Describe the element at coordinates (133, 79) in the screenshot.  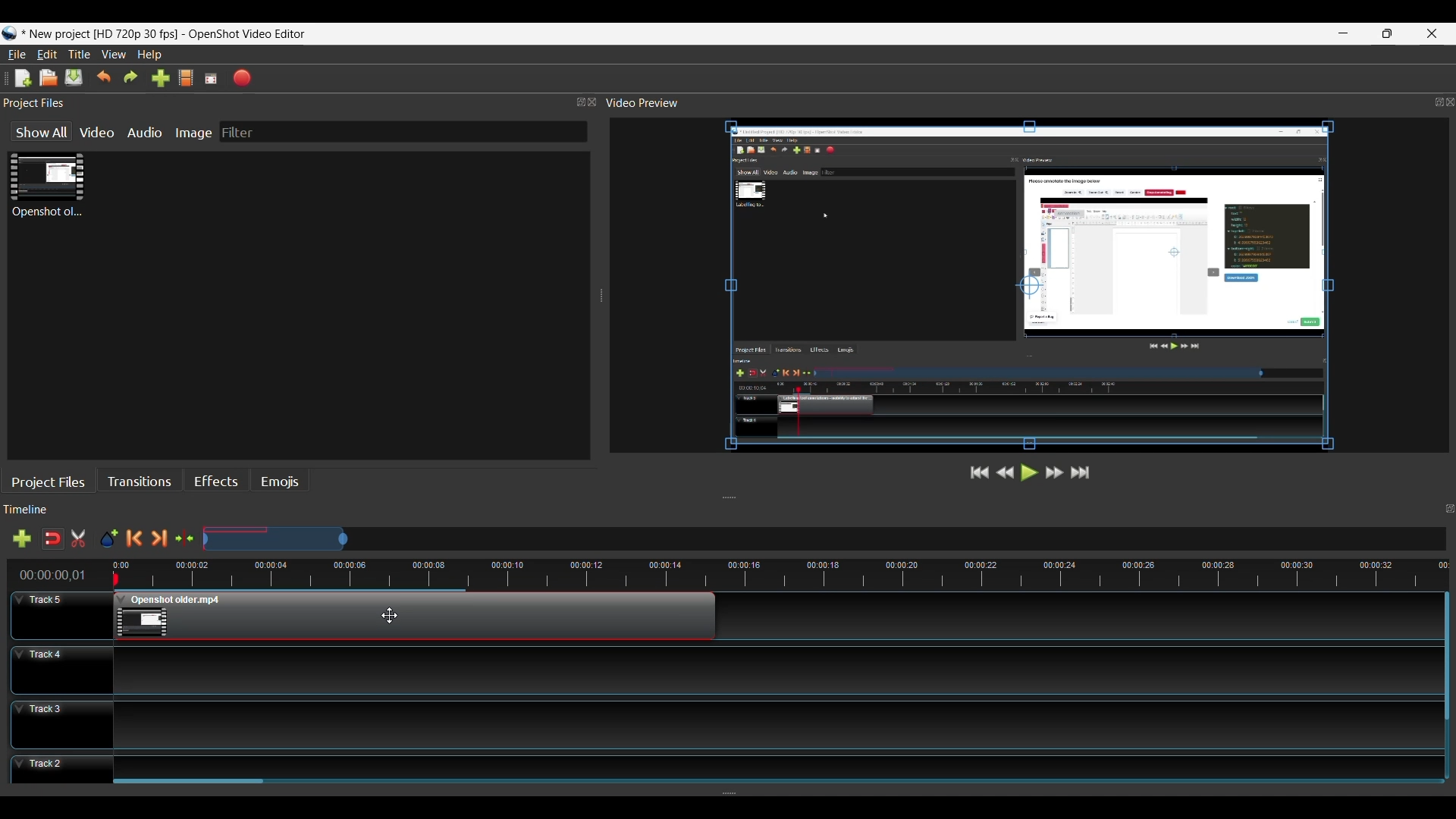
I see `Redo` at that location.